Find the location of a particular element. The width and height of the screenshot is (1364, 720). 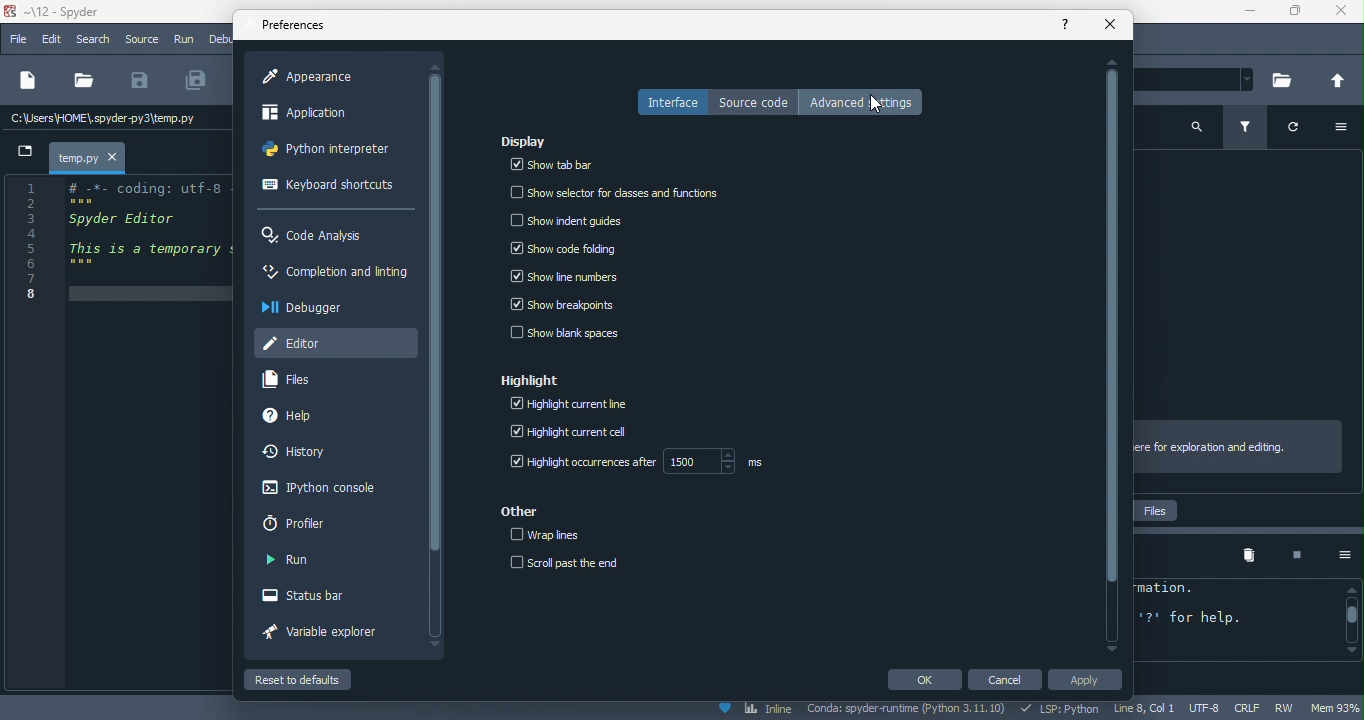

show code folding is located at coordinates (564, 250).